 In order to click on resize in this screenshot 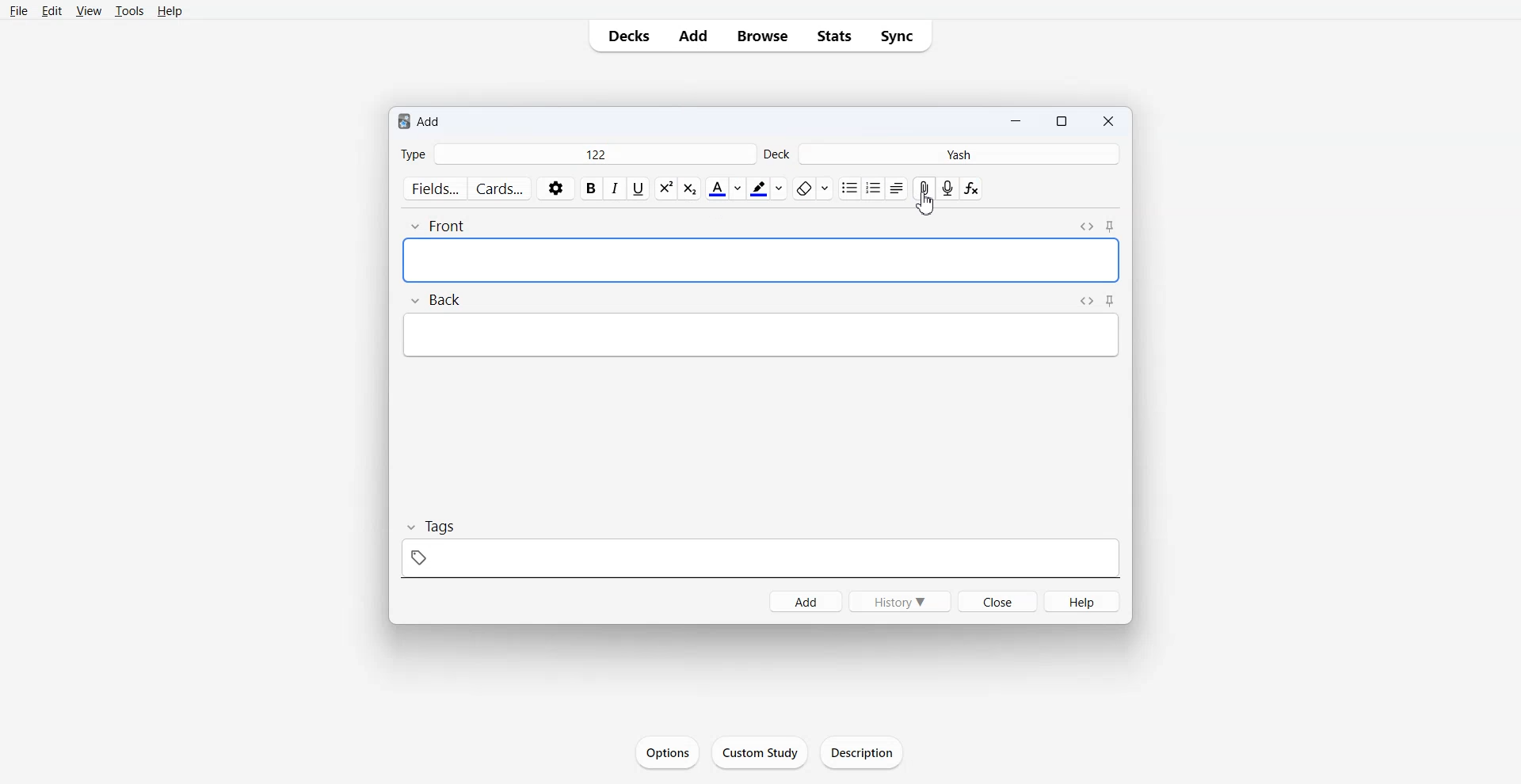, I will do `click(1061, 120)`.